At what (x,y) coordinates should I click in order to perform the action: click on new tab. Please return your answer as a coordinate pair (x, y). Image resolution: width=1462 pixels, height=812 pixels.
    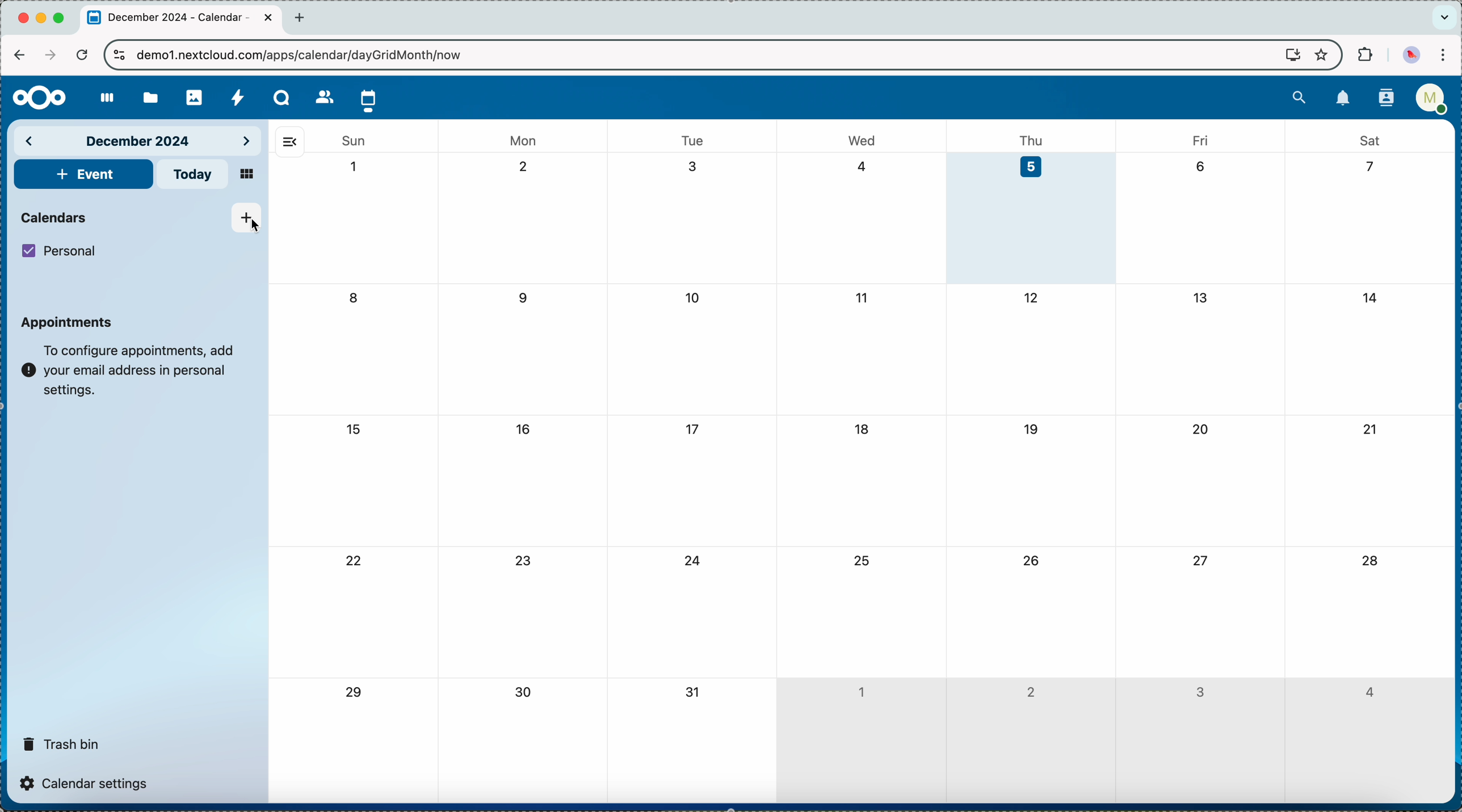
    Looking at the image, I should click on (303, 18).